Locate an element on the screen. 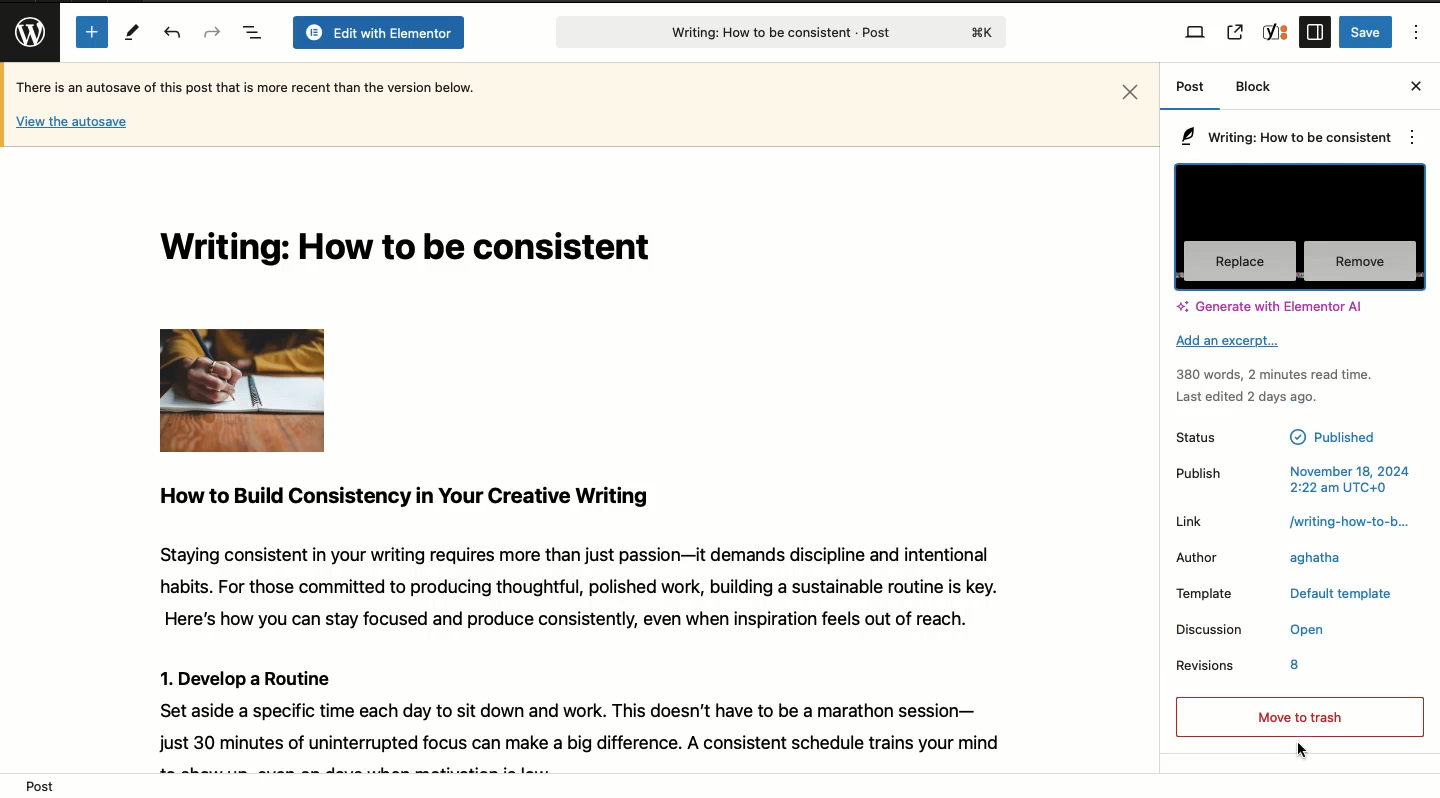 Image resolution: width=1440 pixels, height=798 pixels. Undo is located at coordinates (172, 34).